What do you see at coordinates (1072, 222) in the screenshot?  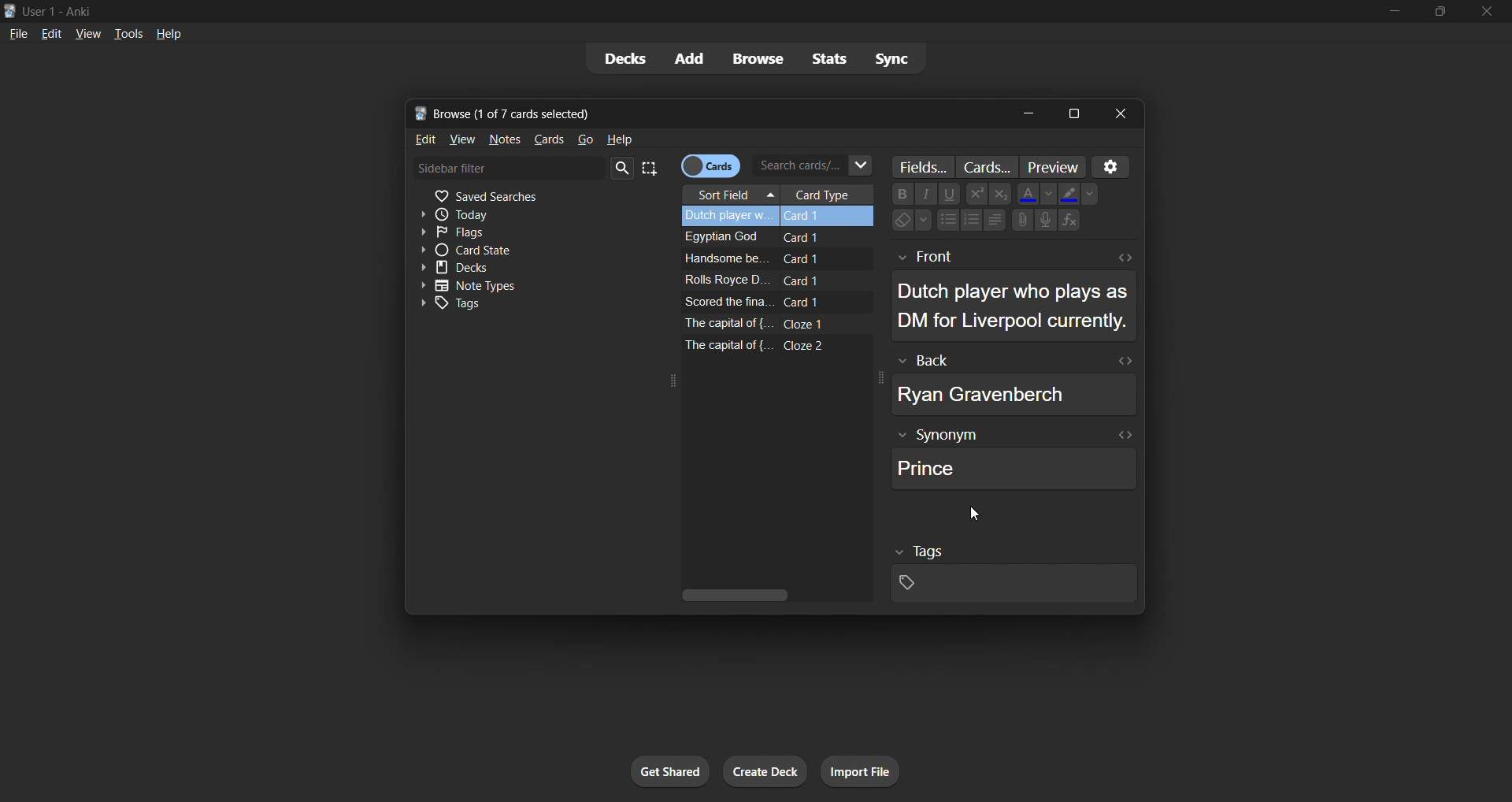 I see `Functions` at bounding box center [1072, 222].